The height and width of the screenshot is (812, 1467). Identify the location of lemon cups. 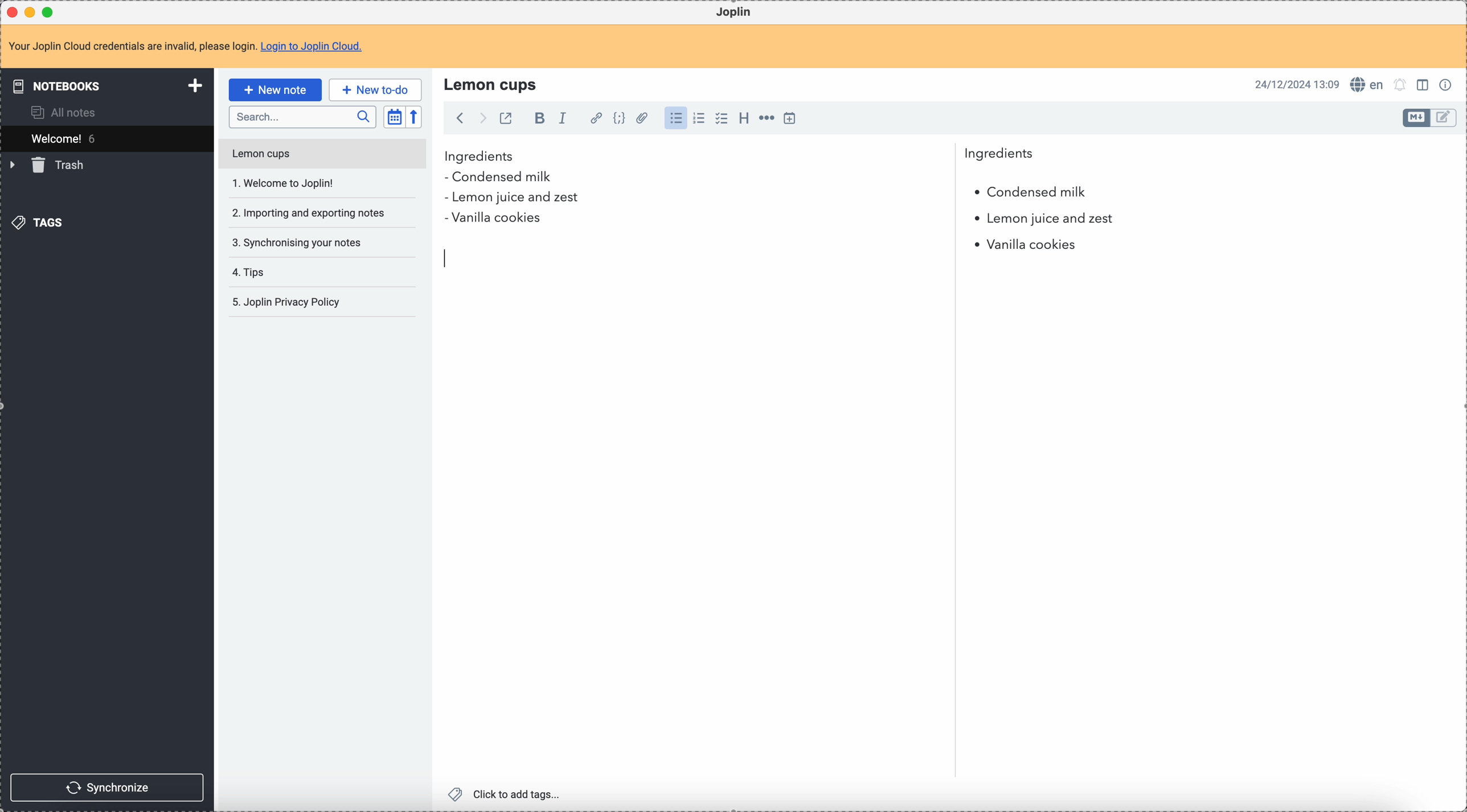
(493, 84).